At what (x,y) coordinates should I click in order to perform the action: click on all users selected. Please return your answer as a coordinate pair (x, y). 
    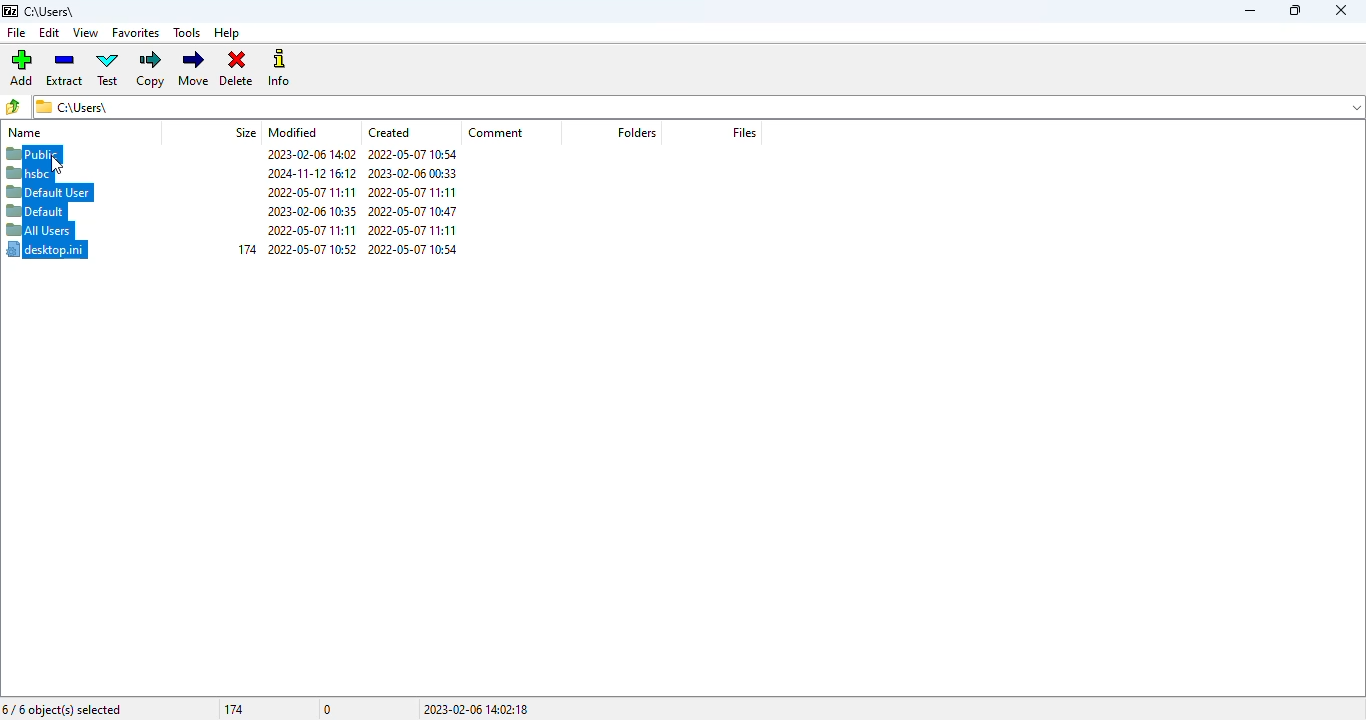
    Looking at the image, I should click on (38, 229).